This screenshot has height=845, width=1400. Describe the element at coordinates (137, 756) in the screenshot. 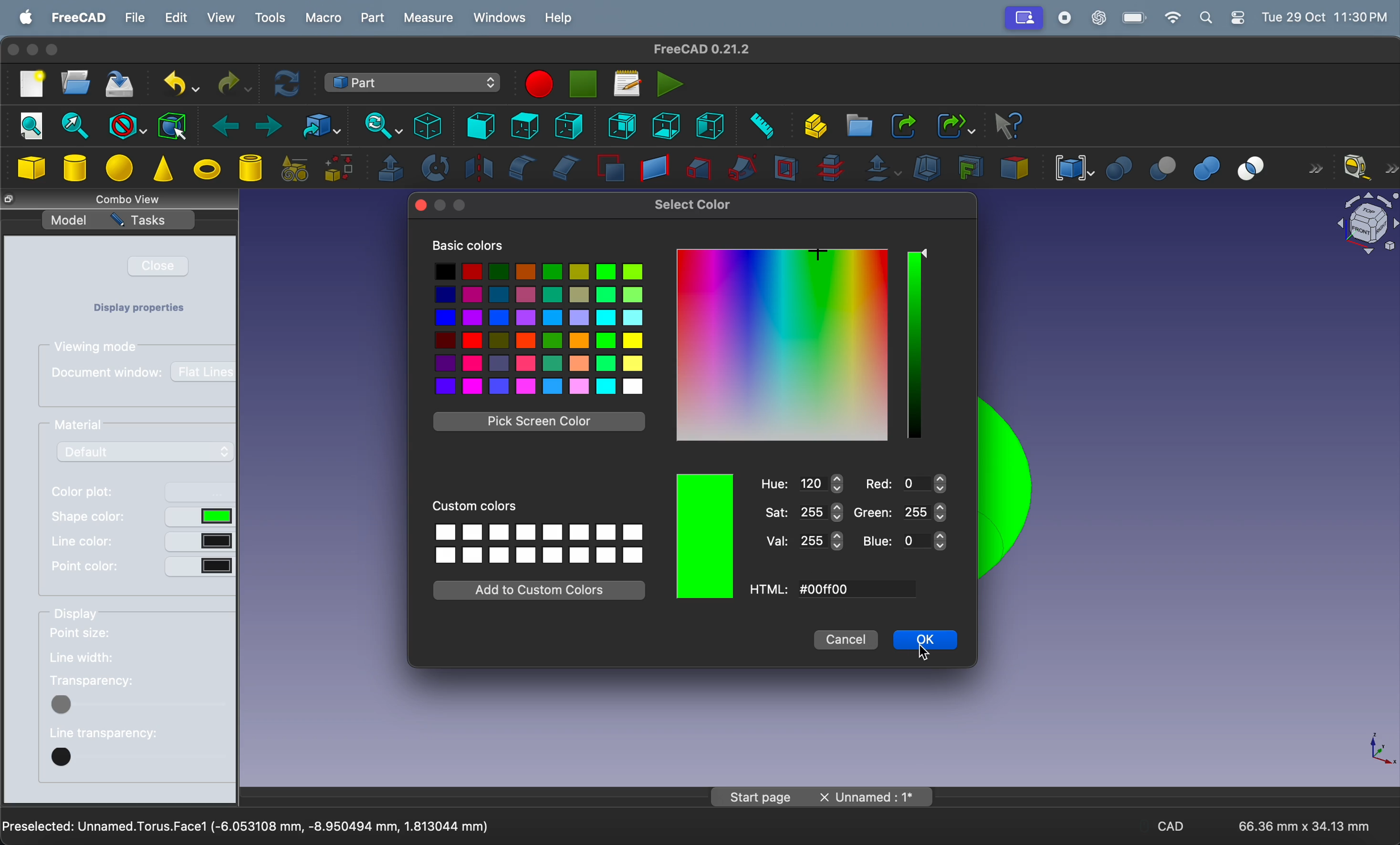

I see `button` at that location.